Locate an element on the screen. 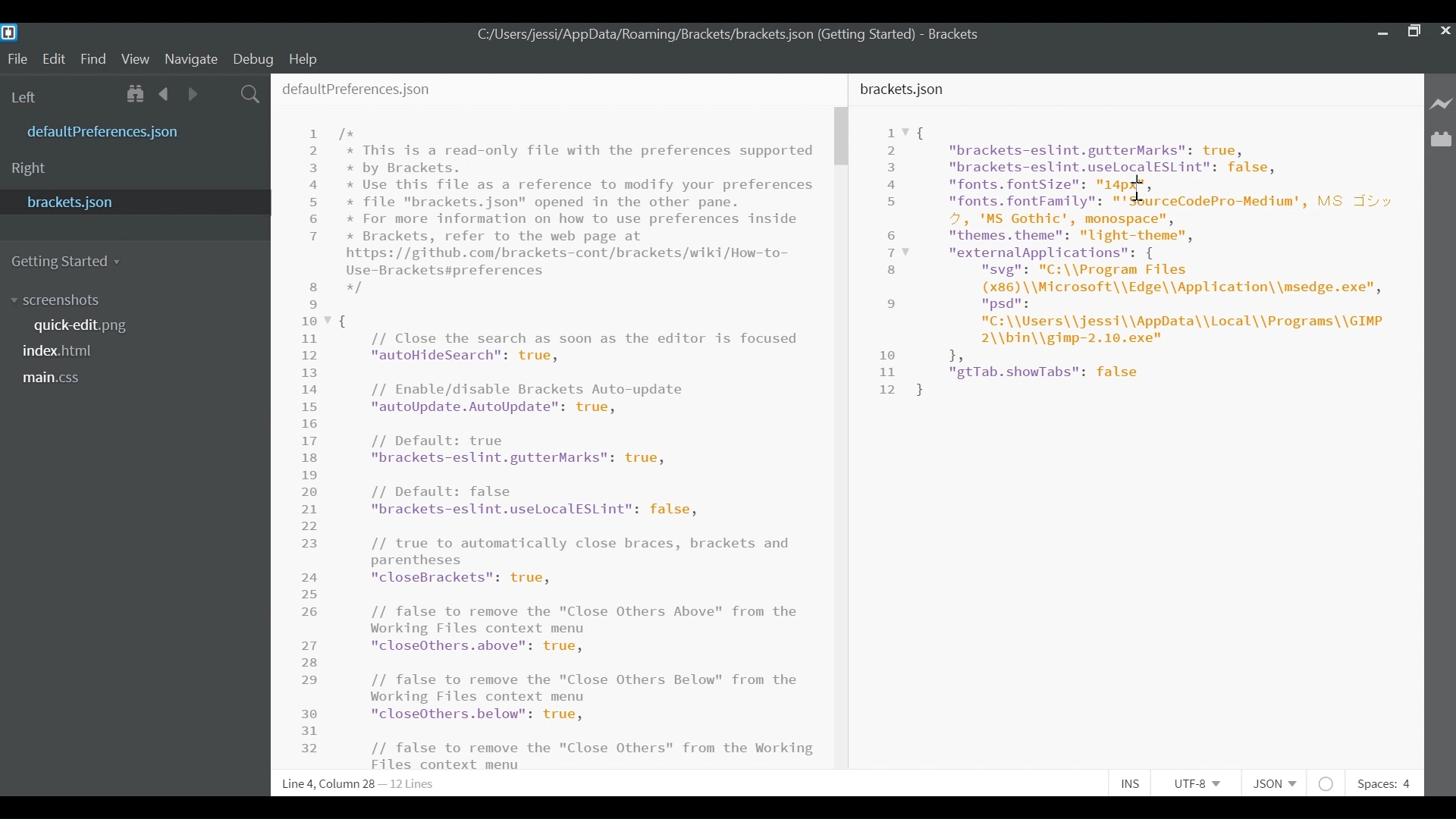  minimize is located at coordinates (1381, 33).